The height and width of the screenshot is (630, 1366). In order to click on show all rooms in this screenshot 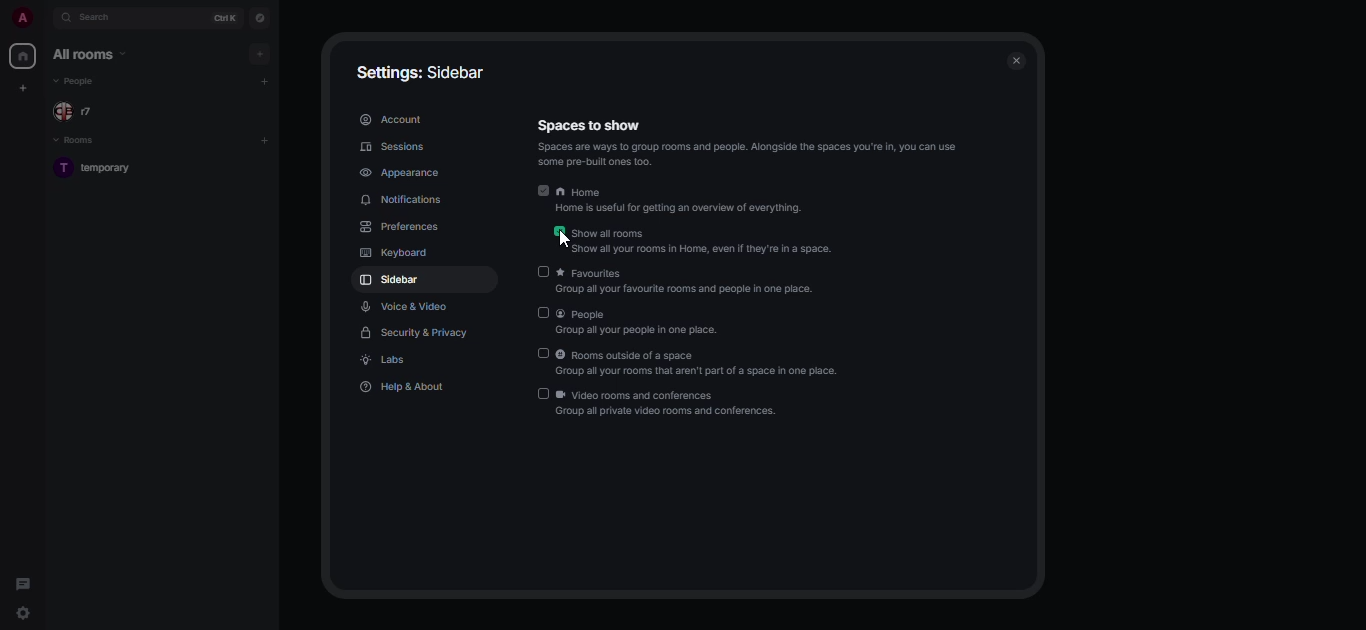, I will do `click(703, 241)`.